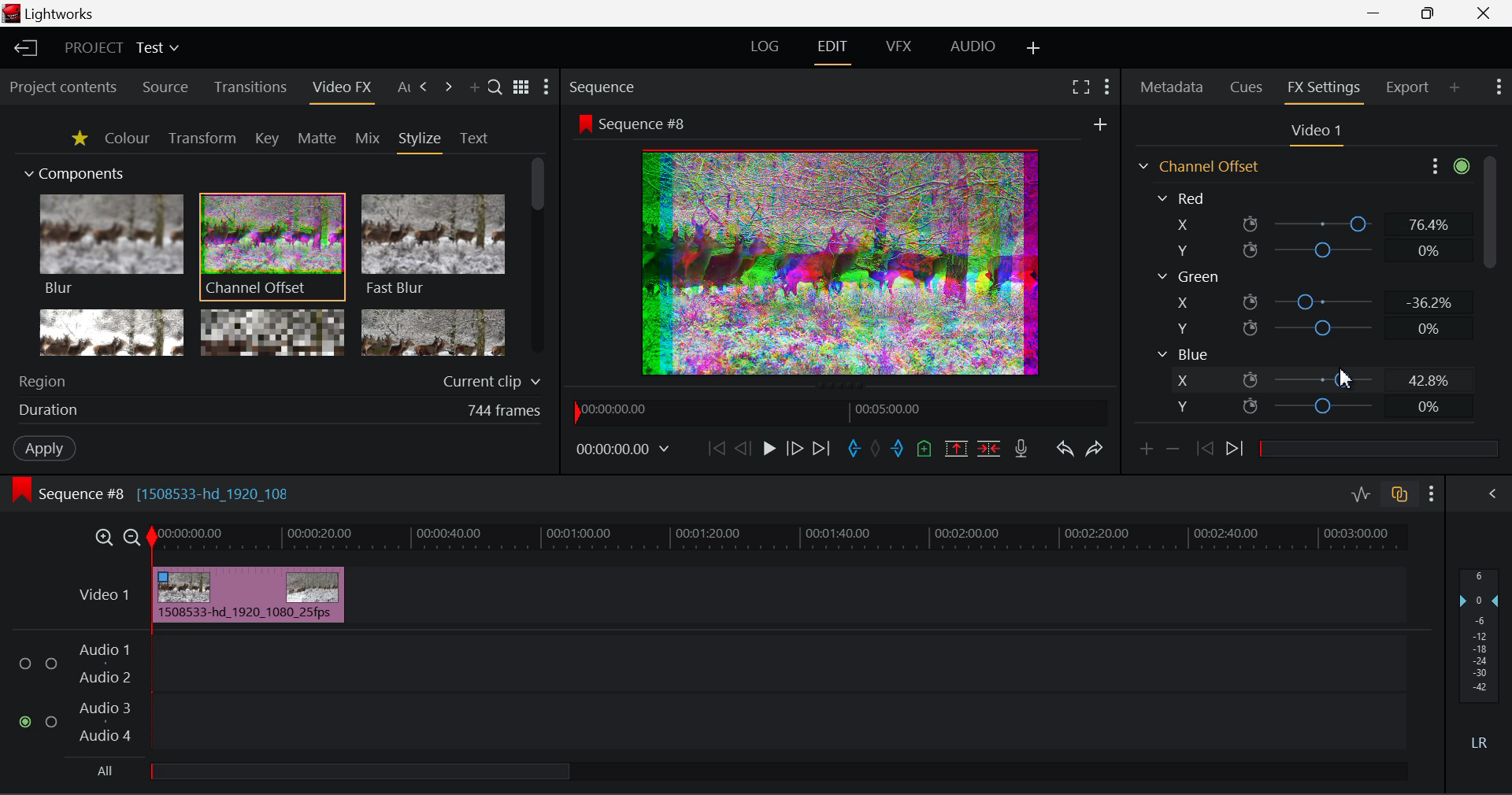 Image resolution: width=1512 pixels, height=795 pixels. What do you see at coordinates (72, 171) in the screenshot?
I see `Components Section` at bounding box center [72, 171].